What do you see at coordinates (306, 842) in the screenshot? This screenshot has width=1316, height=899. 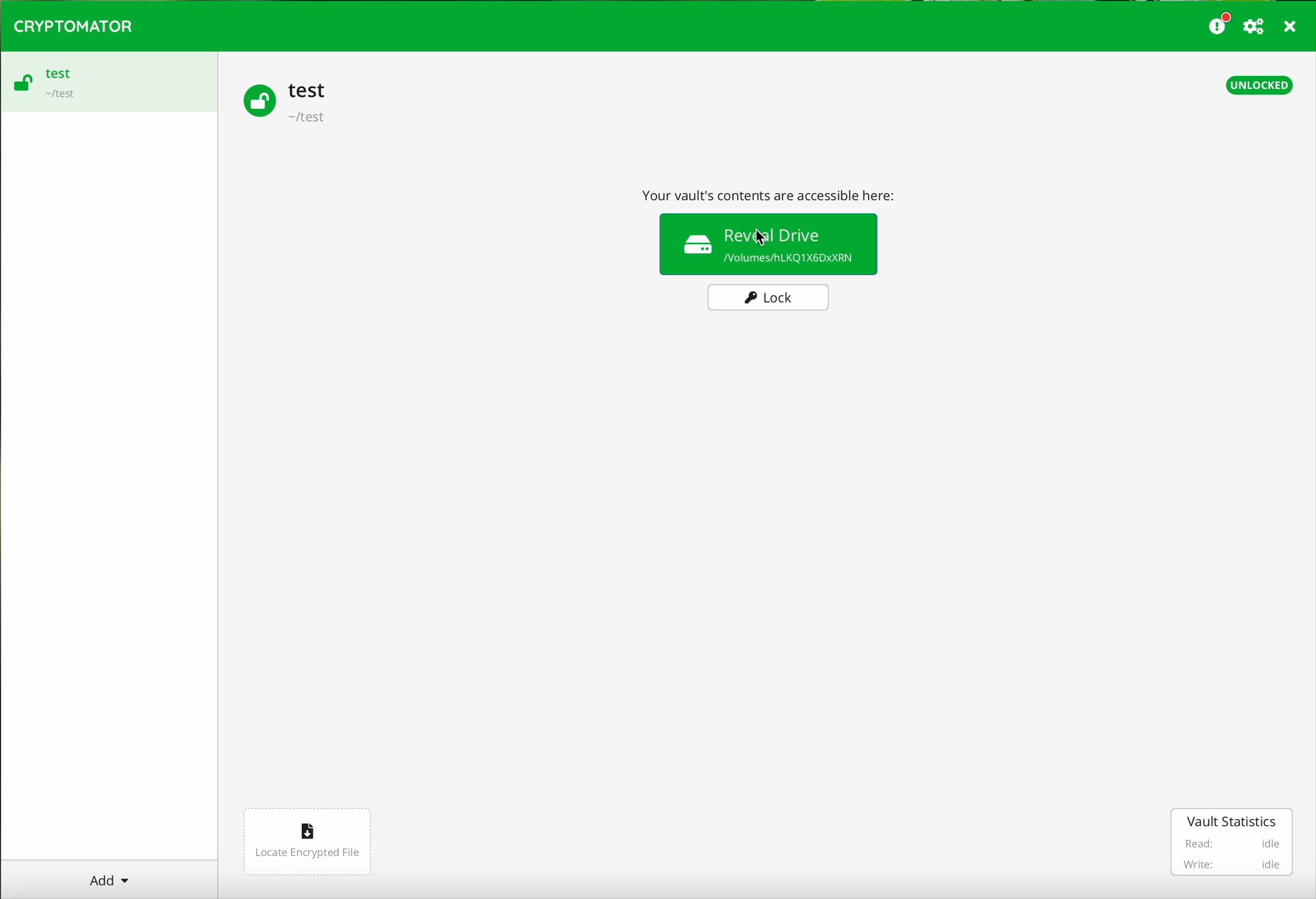 I see `locate encrypted file button` at bounding box center [306, 842].